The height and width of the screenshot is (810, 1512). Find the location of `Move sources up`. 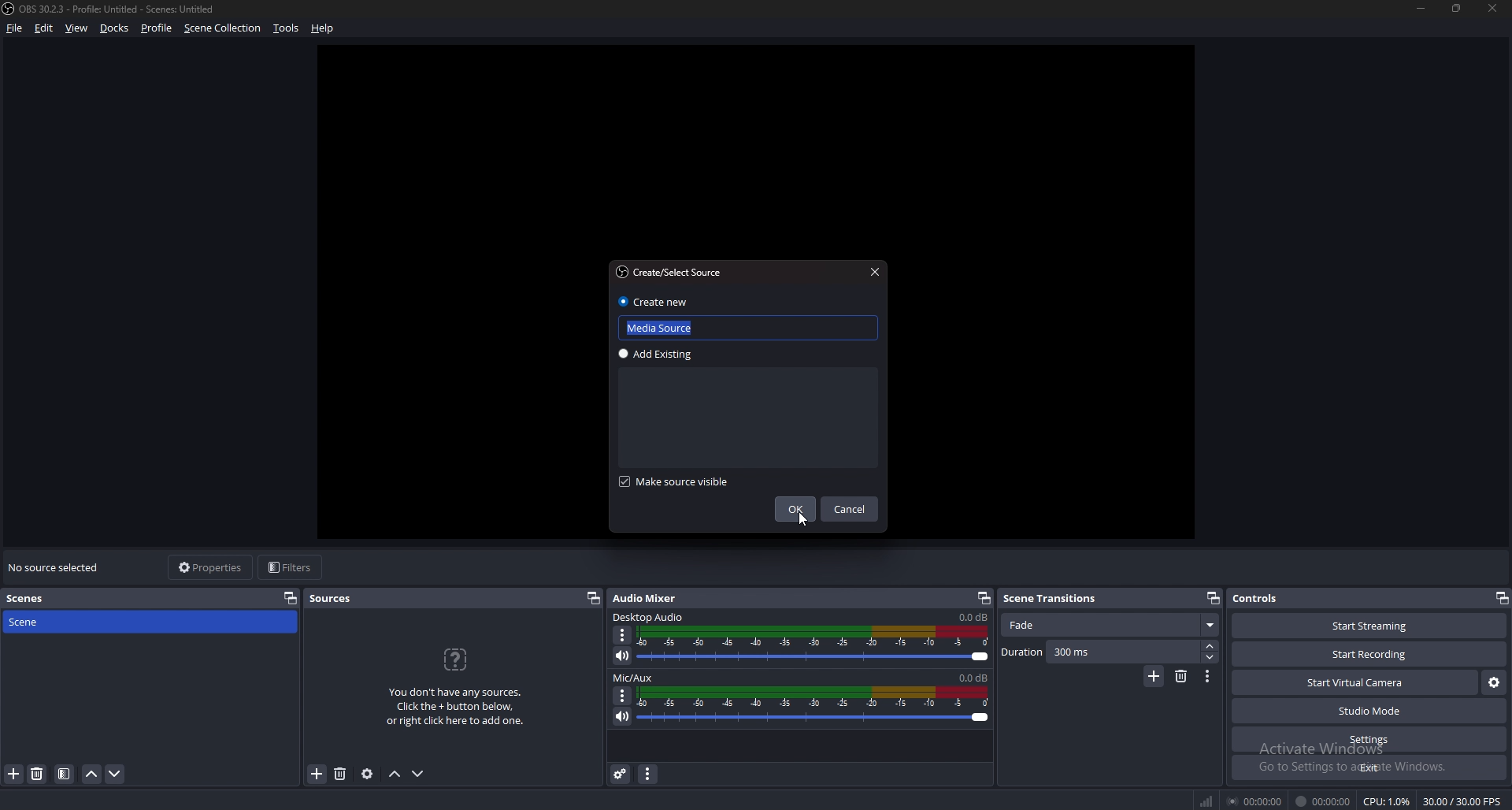

Move sources up is located at coordinates (395, 775).